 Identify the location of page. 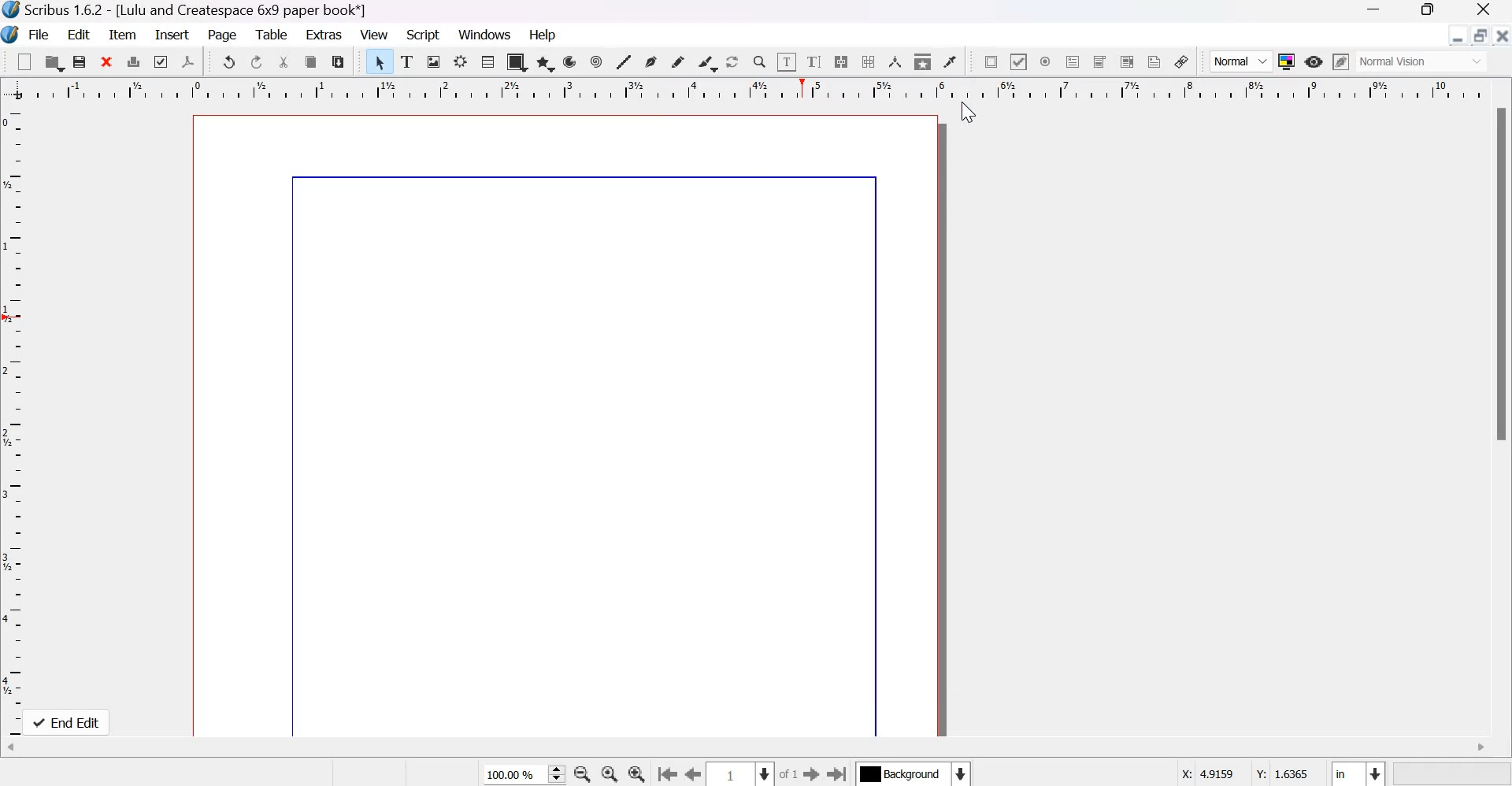
(569, 426).